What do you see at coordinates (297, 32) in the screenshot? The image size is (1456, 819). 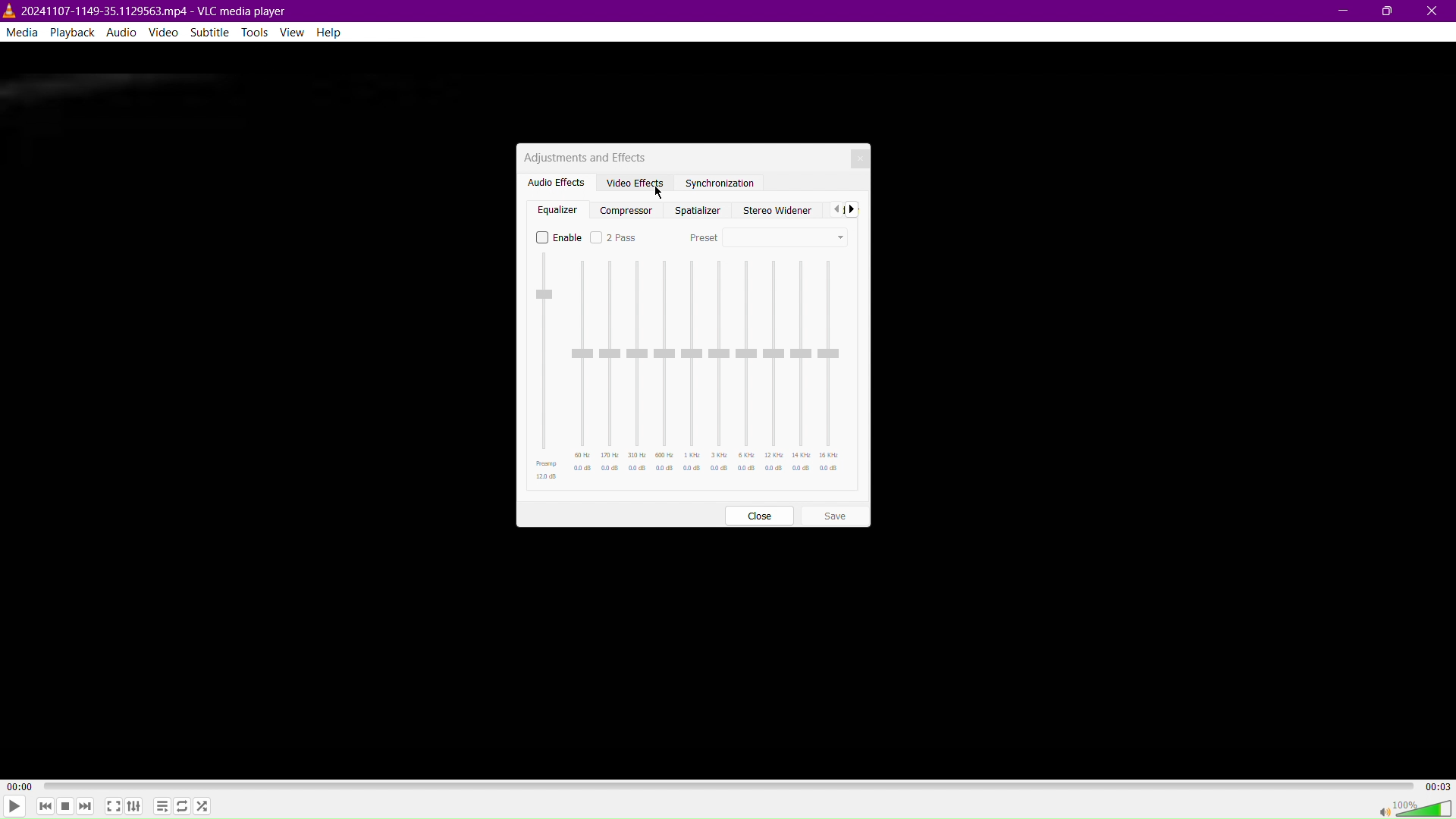 I see `View` at bounding box center [297, 32].